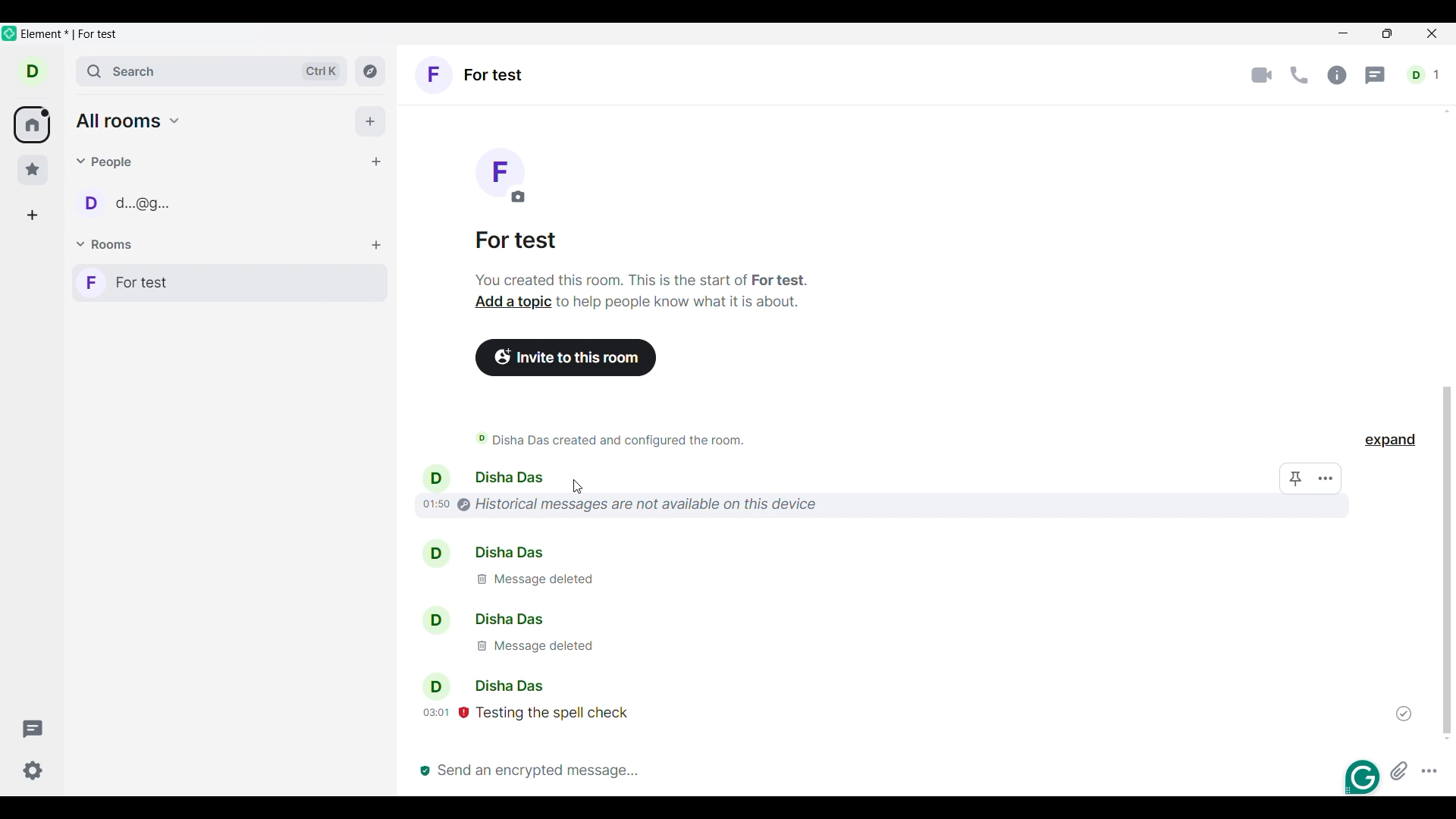 This screenshot has width=1456, height=819. Describe the element at coordinates (32, 125) in the screenshot. I see `All rooms` at that location.